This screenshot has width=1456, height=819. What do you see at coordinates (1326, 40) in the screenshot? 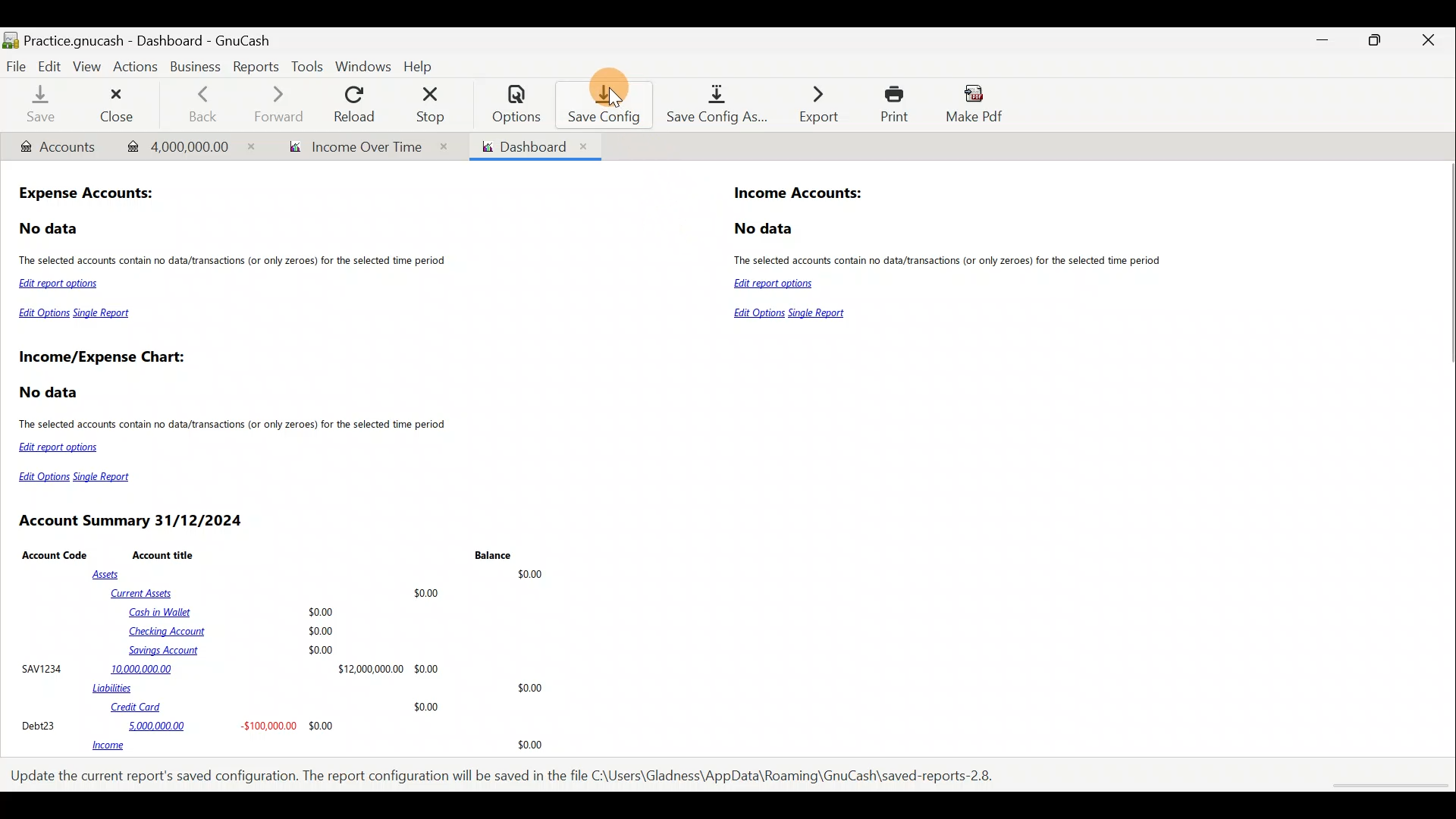
I see `Minimise` at bounding box center [1326, 40].